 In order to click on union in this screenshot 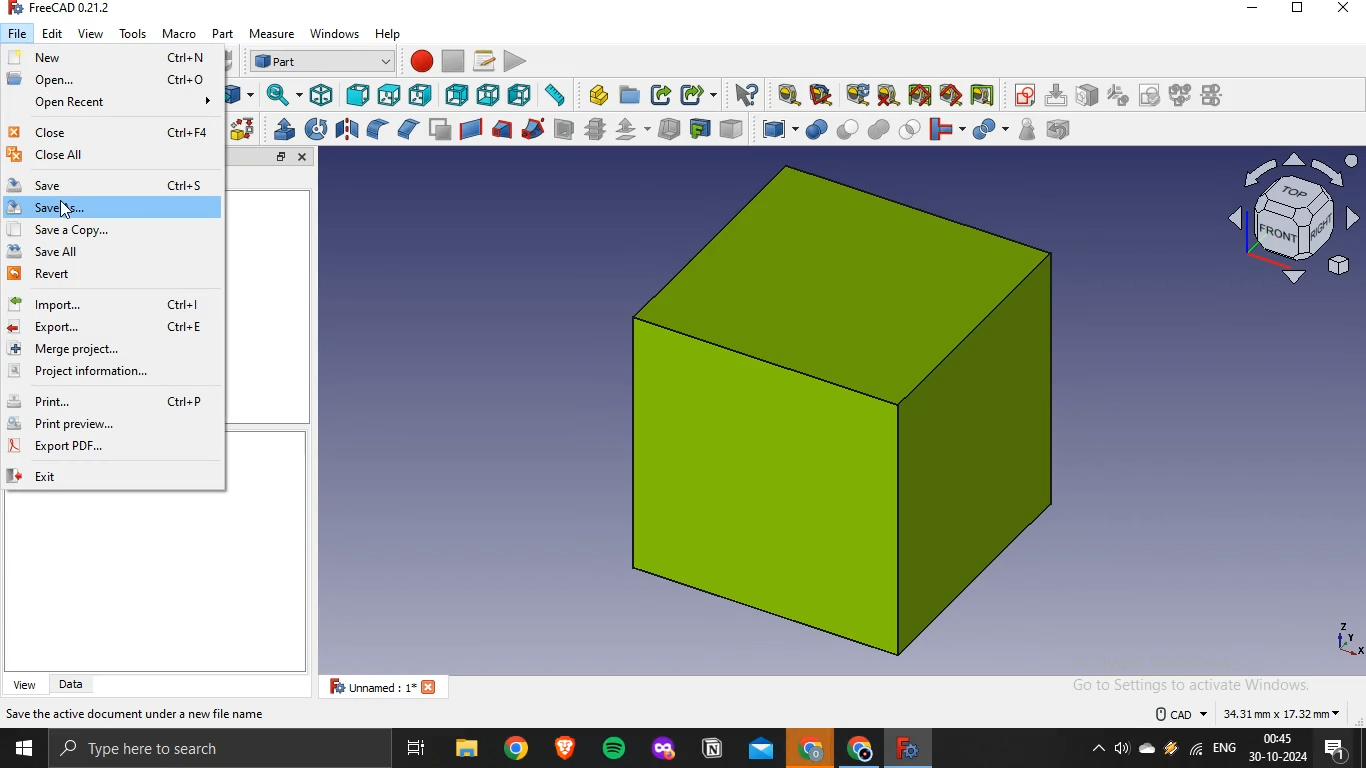, I will do `click(878, 129)`.